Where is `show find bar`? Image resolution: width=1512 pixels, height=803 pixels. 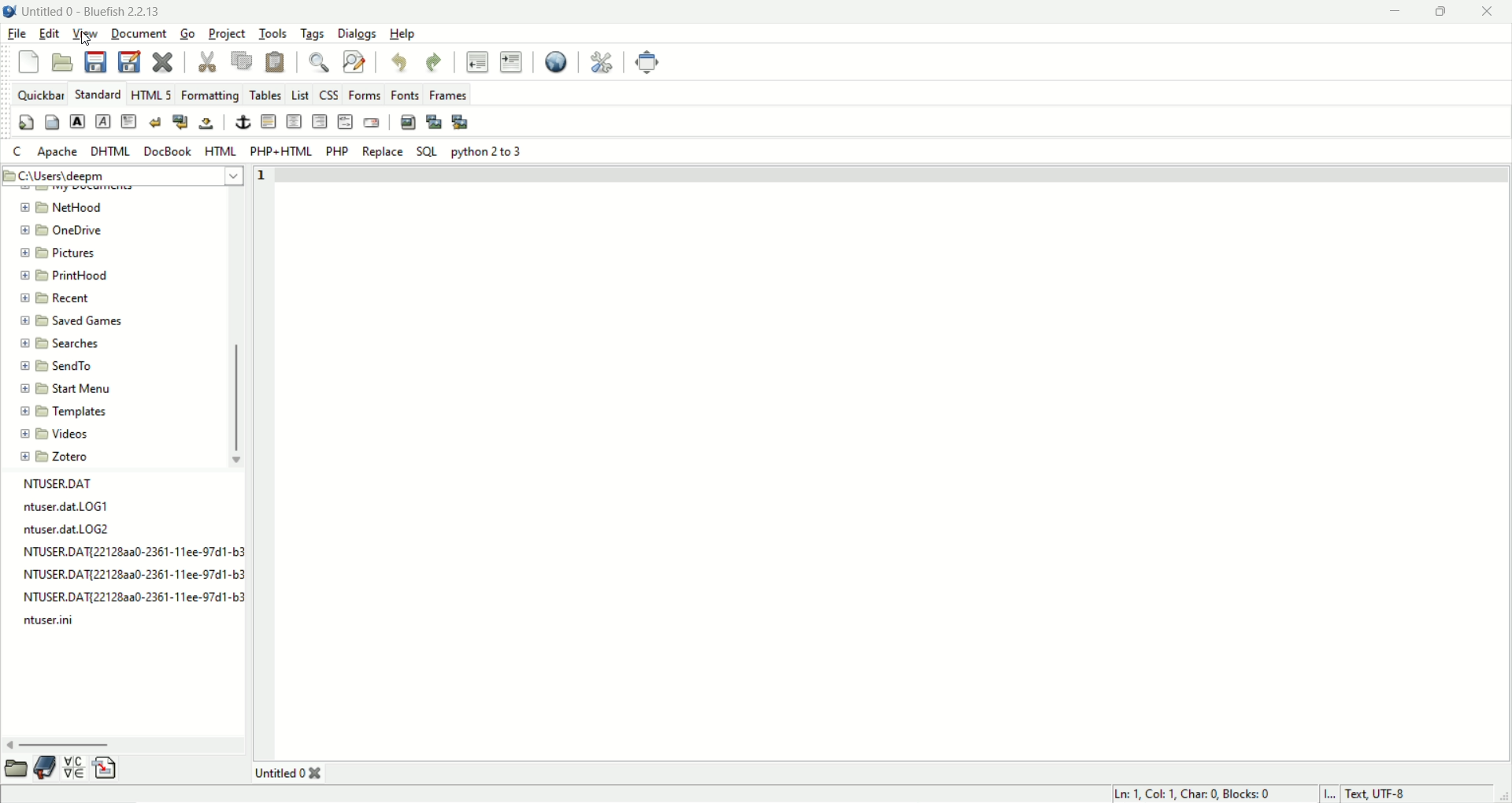 show find bar is located at coordinates (319, 62).